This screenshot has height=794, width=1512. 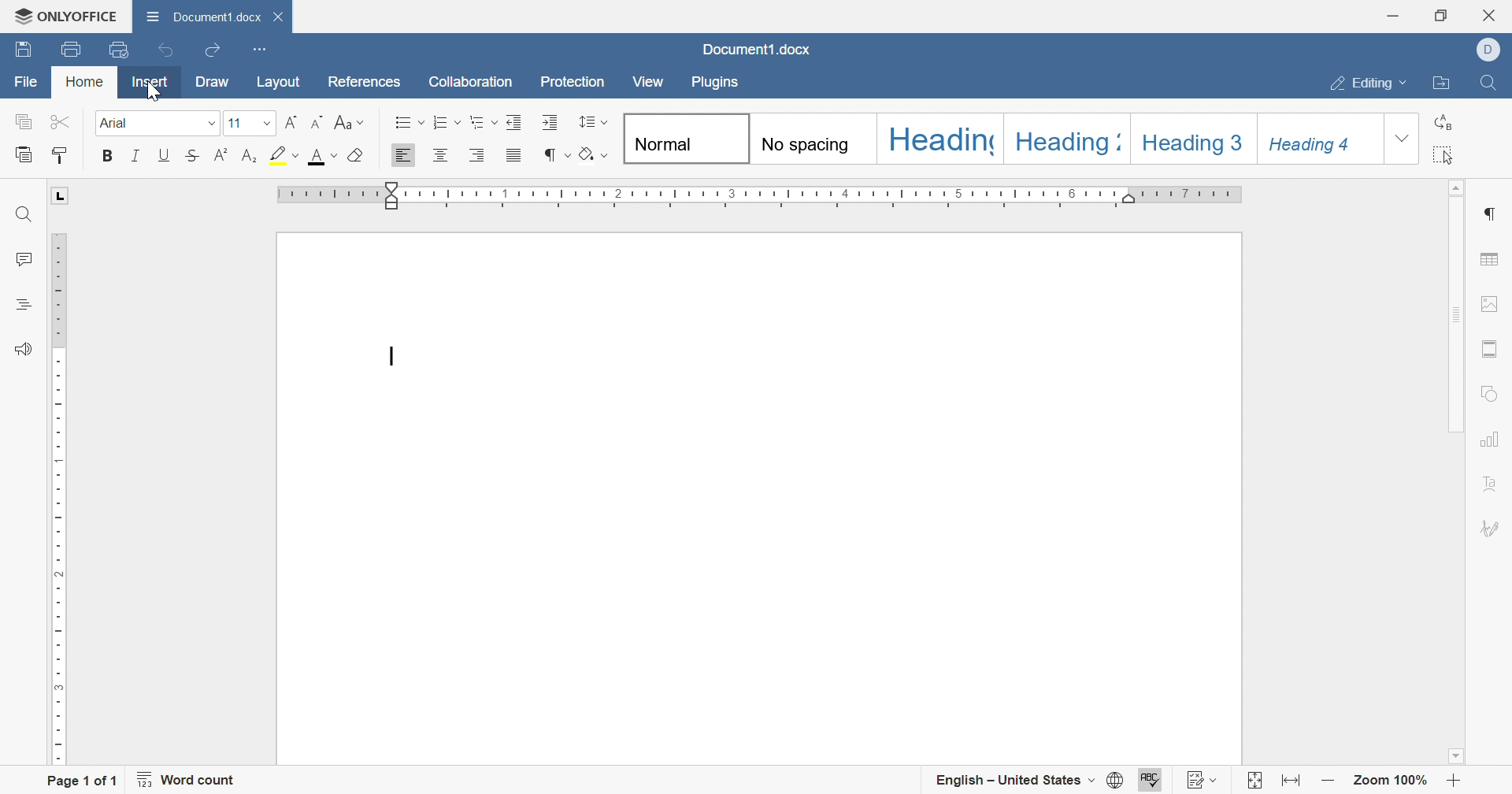 I want to click on References, so click(x=362, y=83).